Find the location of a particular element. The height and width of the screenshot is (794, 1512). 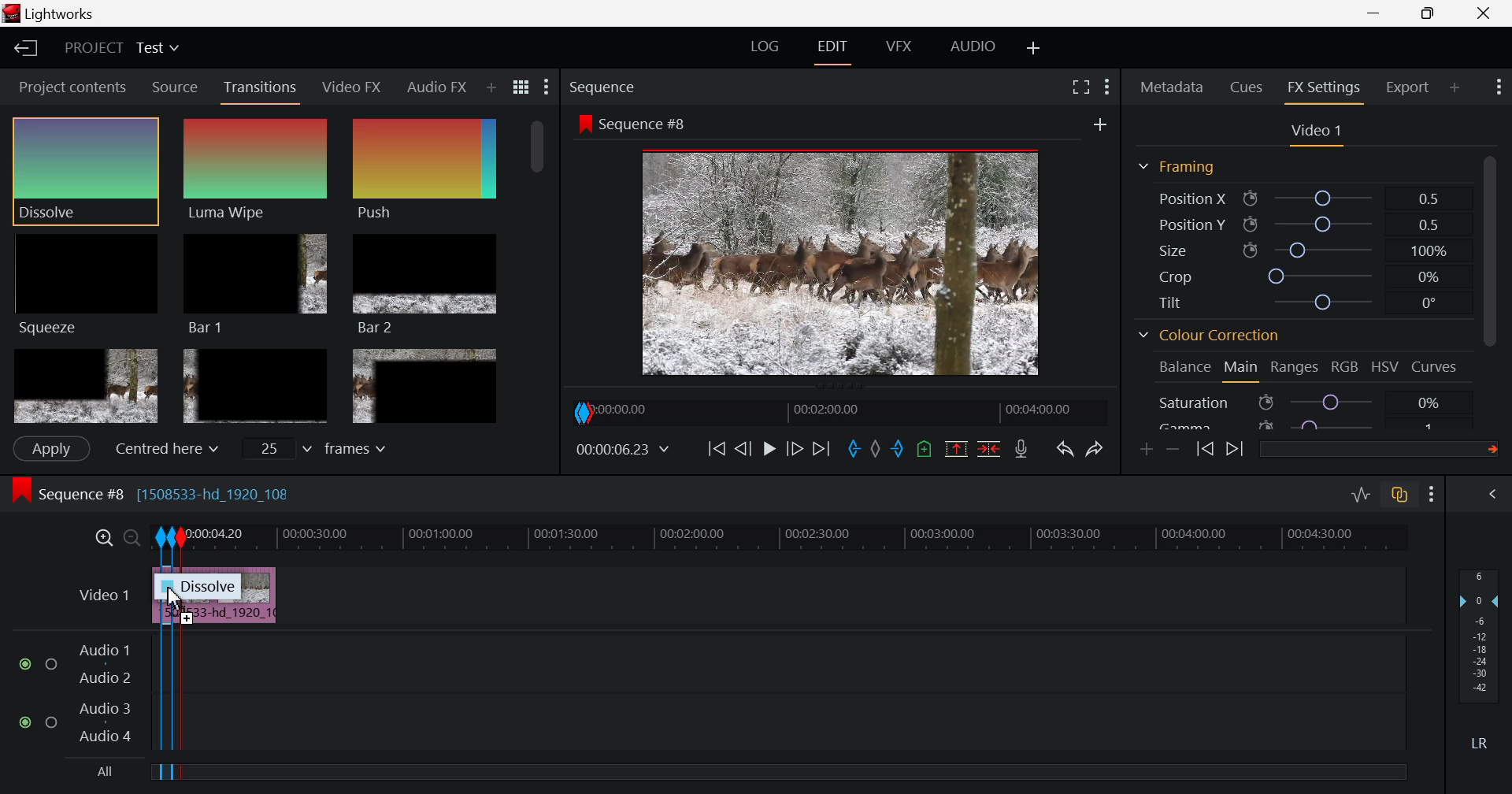

Dissolve Effect is located at coordinates (261, 174).